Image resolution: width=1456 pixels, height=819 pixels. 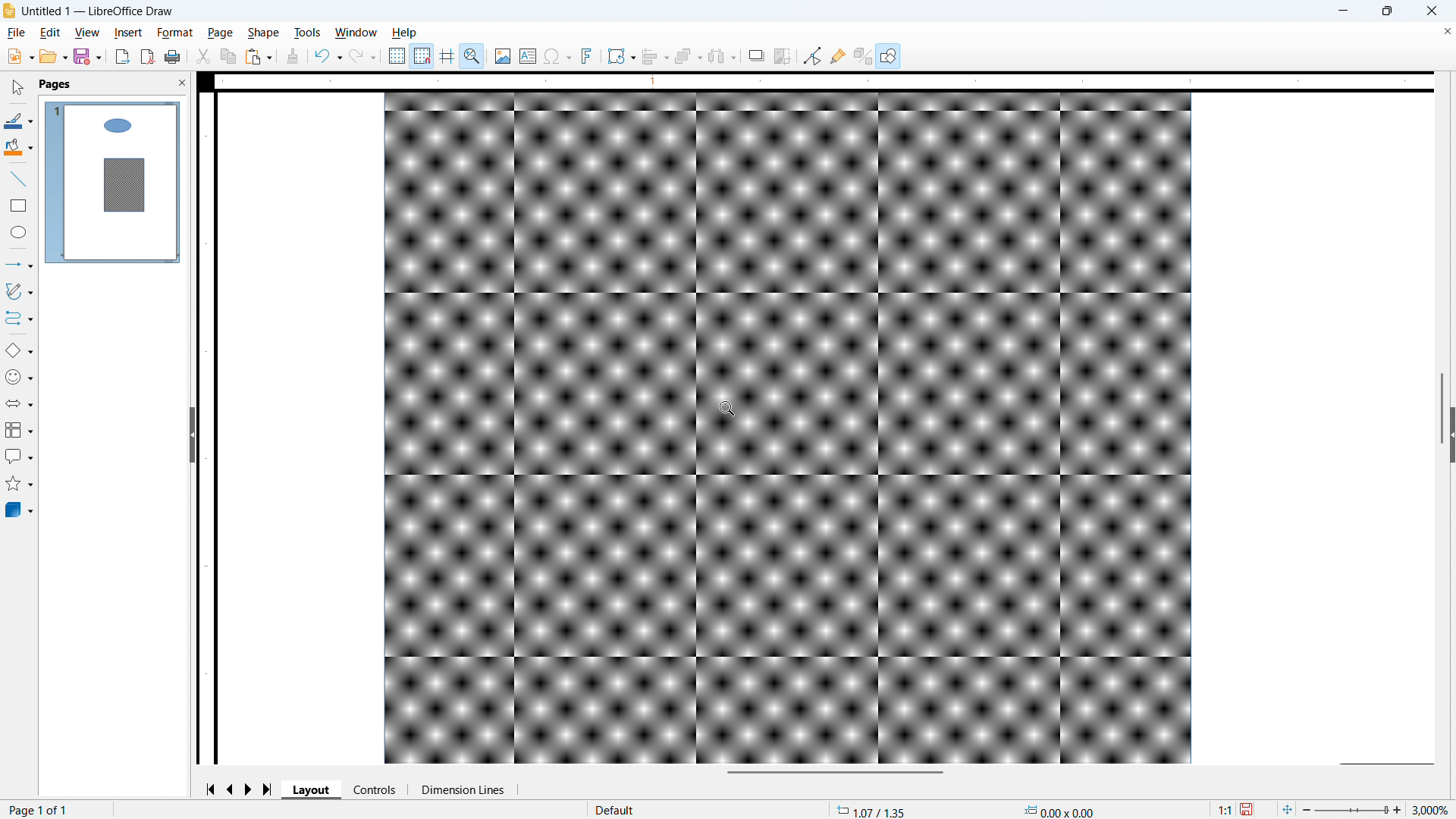 I want to click on Snap to grid , so click(x=422, y=55).